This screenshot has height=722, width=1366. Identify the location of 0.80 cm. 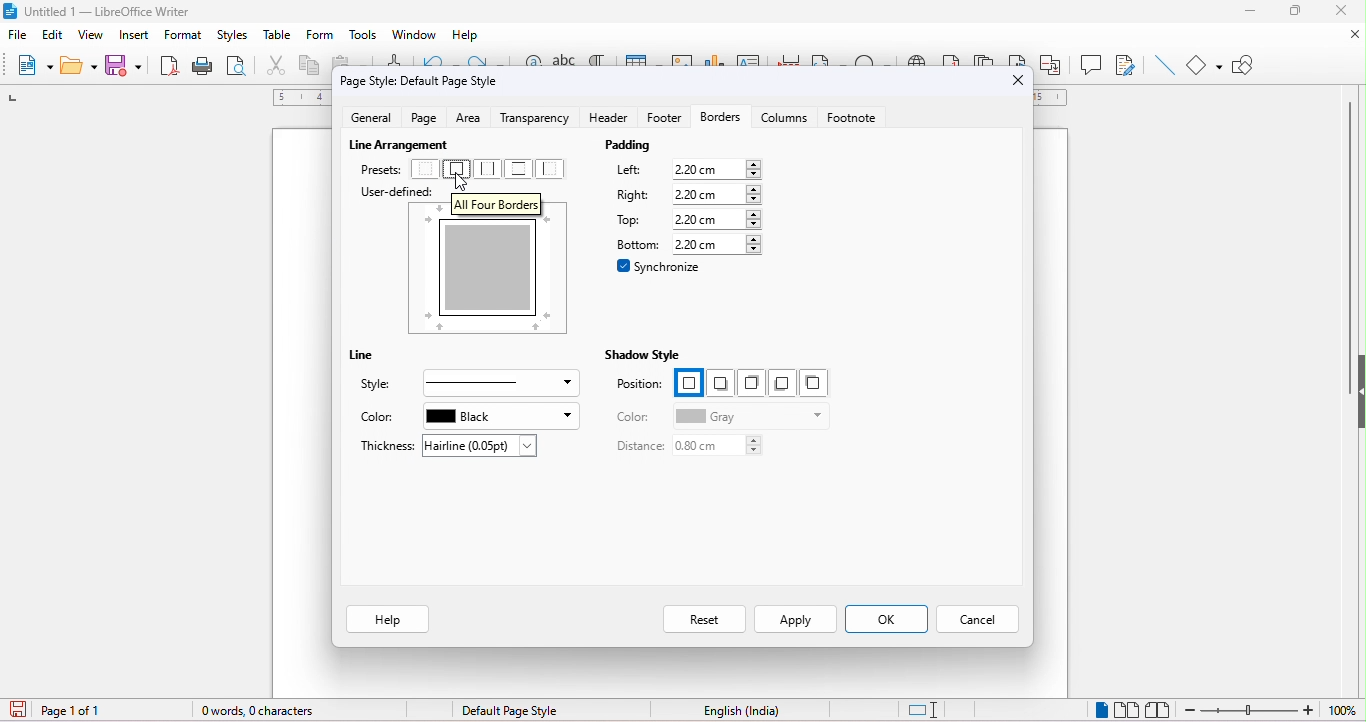
(722, 447).